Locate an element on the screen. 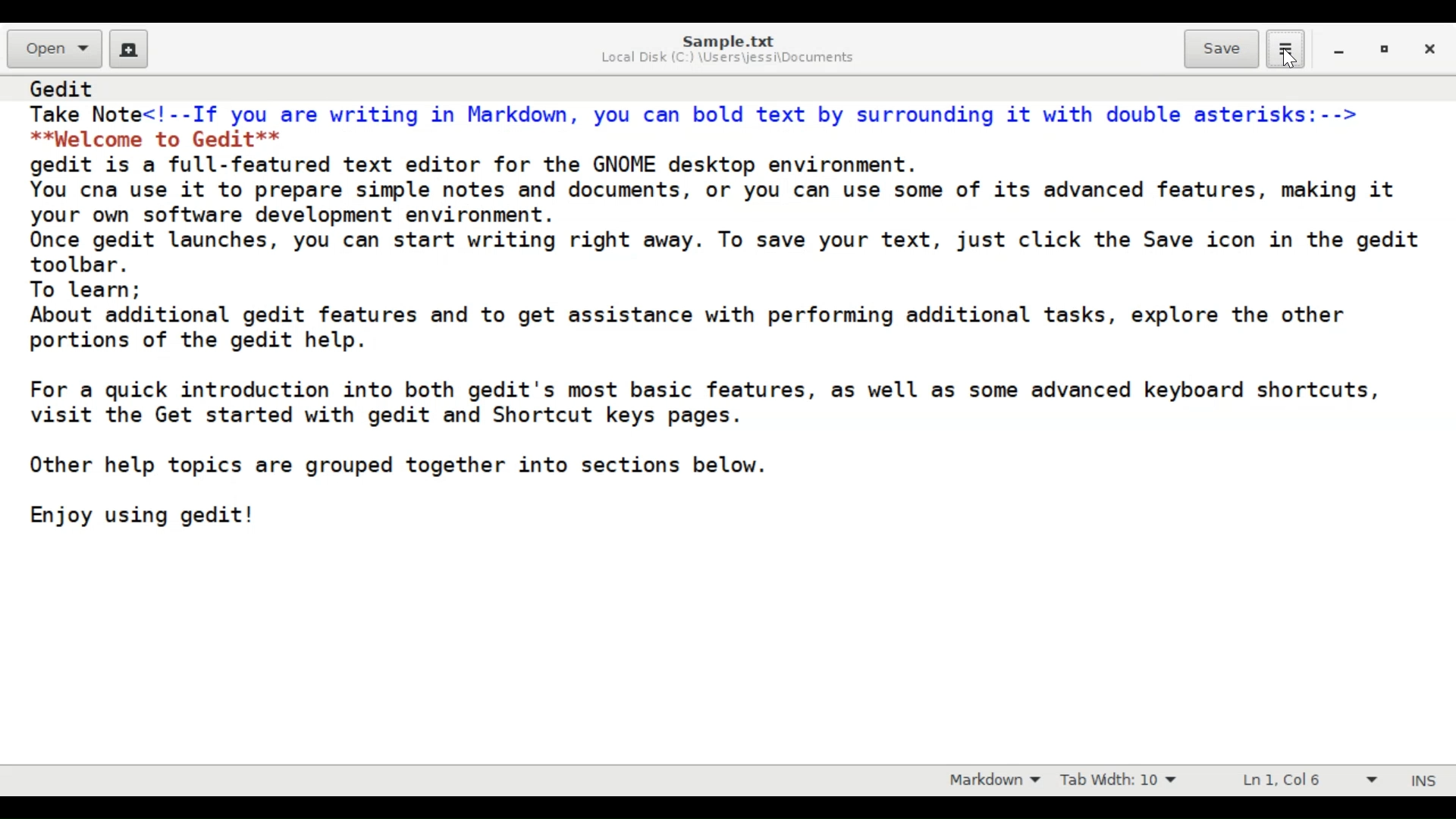  Create a new document is located at coordinates (130, 48).